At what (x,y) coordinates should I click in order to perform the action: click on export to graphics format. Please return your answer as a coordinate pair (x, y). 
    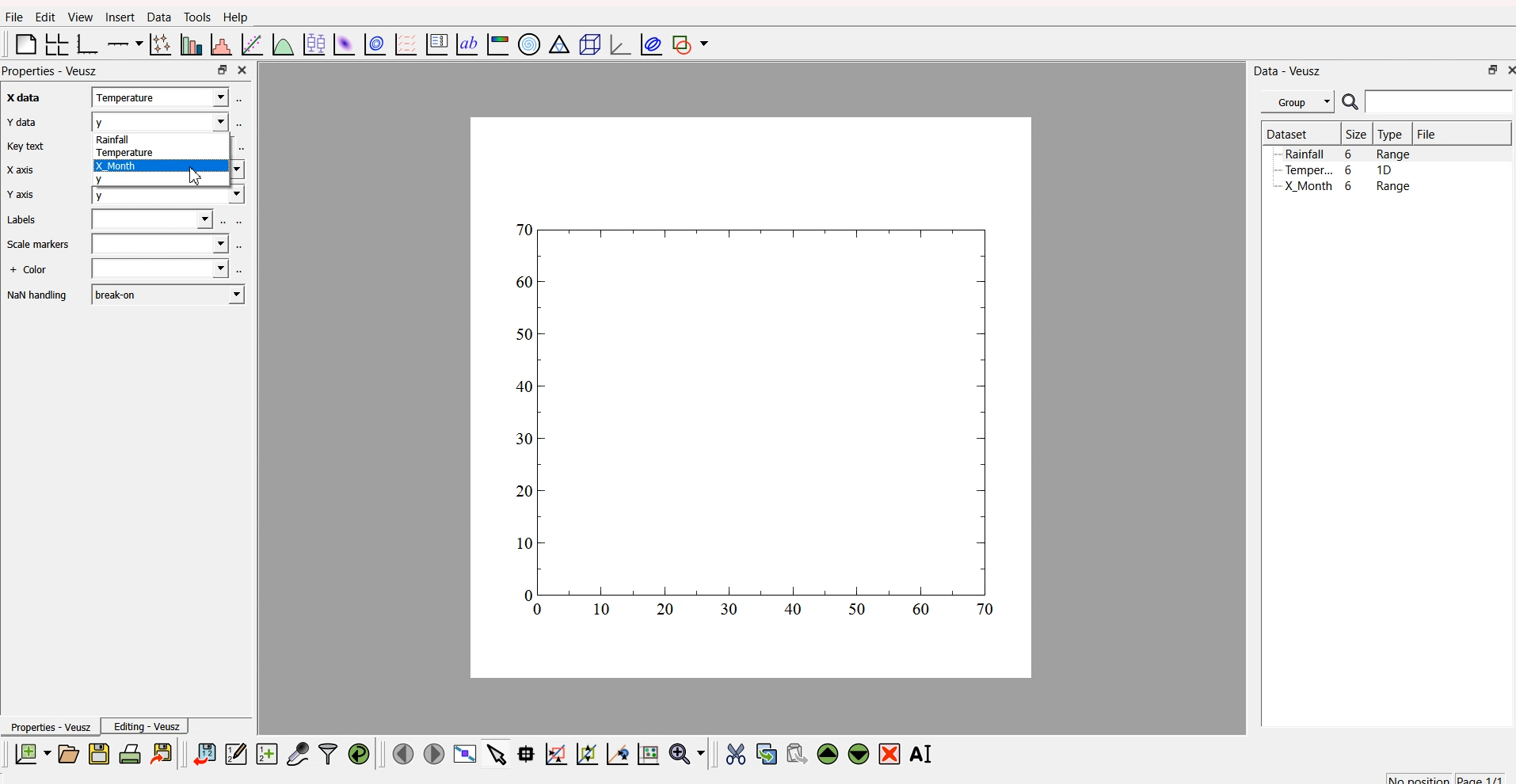
    Looking at the image, I should click on (164, 752).